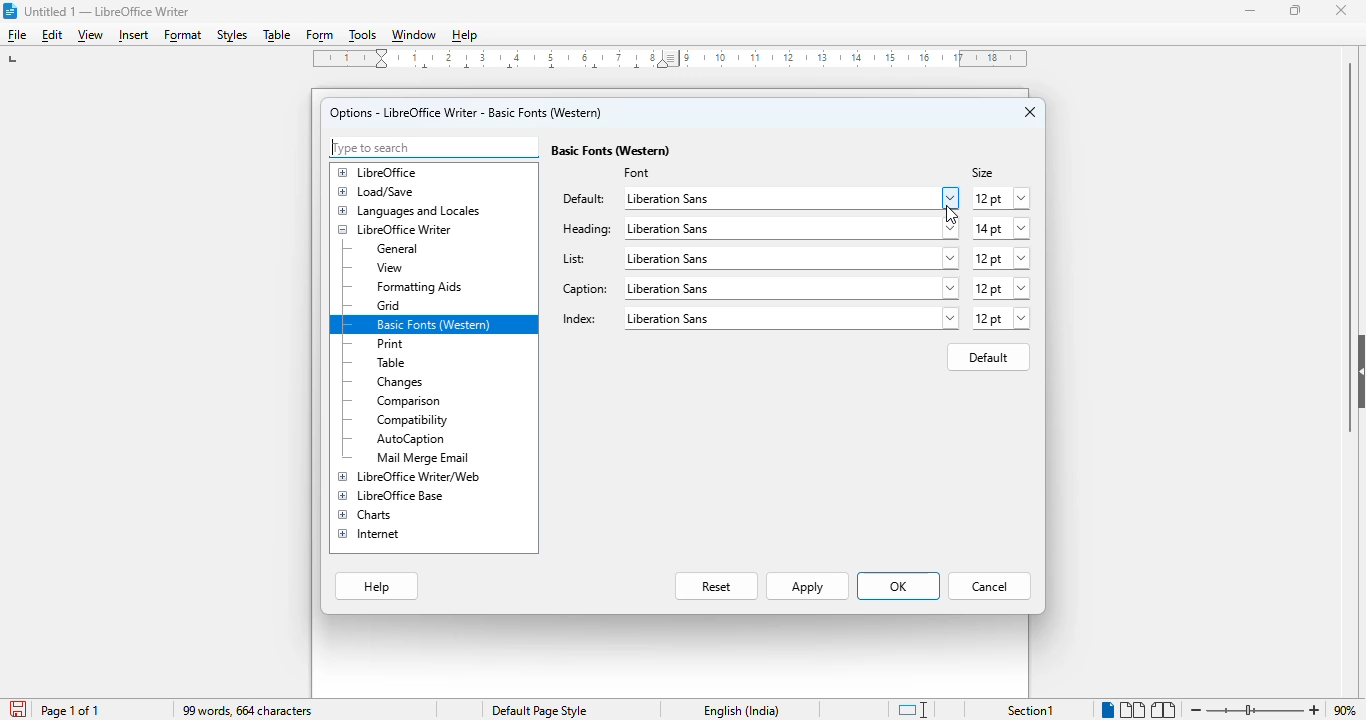 The height and width of the screenshot is (720, 1366). Describe the element at coordinates (1031, 711) in the screenshot. I see `section 1` at that location.